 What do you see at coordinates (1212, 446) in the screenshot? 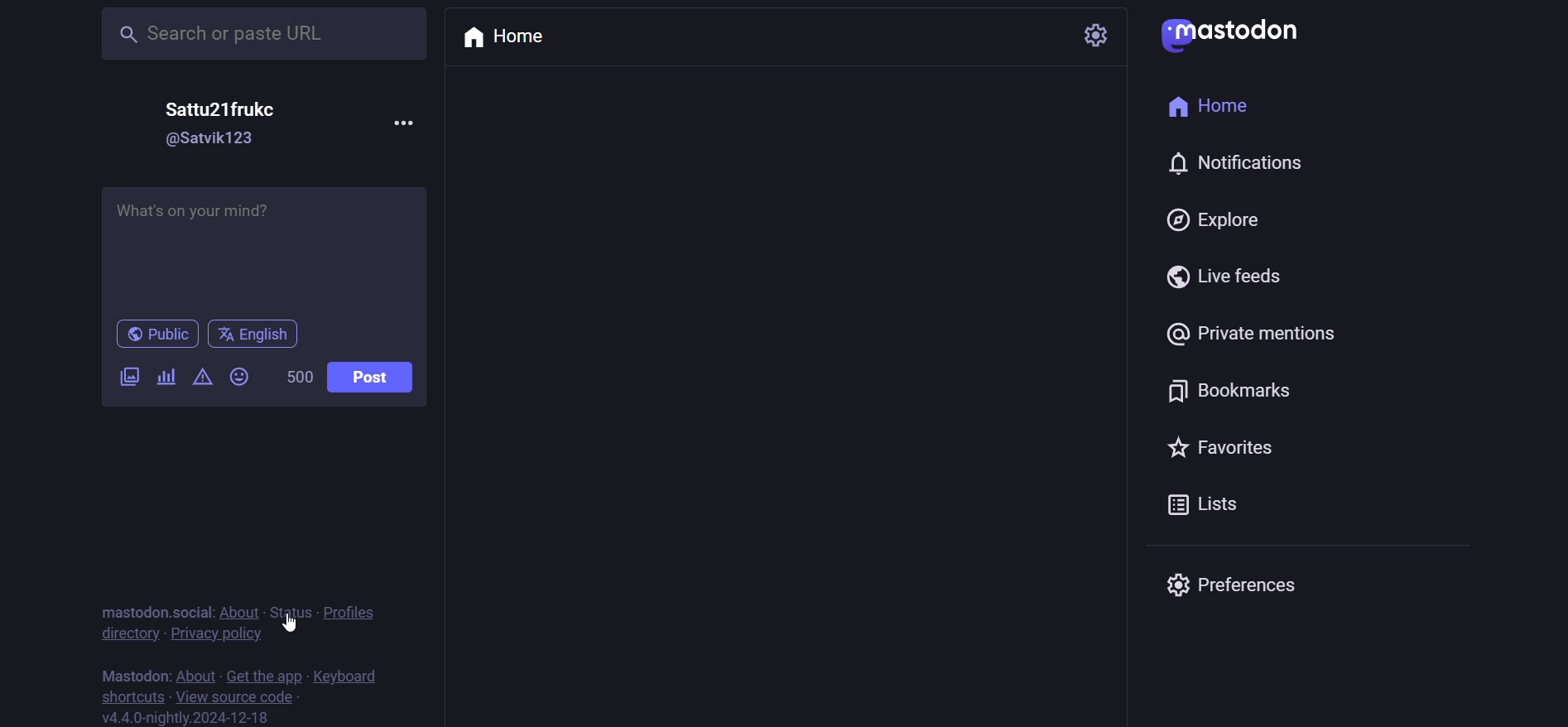
I see `favorite` at bounding box center [1212, 446].